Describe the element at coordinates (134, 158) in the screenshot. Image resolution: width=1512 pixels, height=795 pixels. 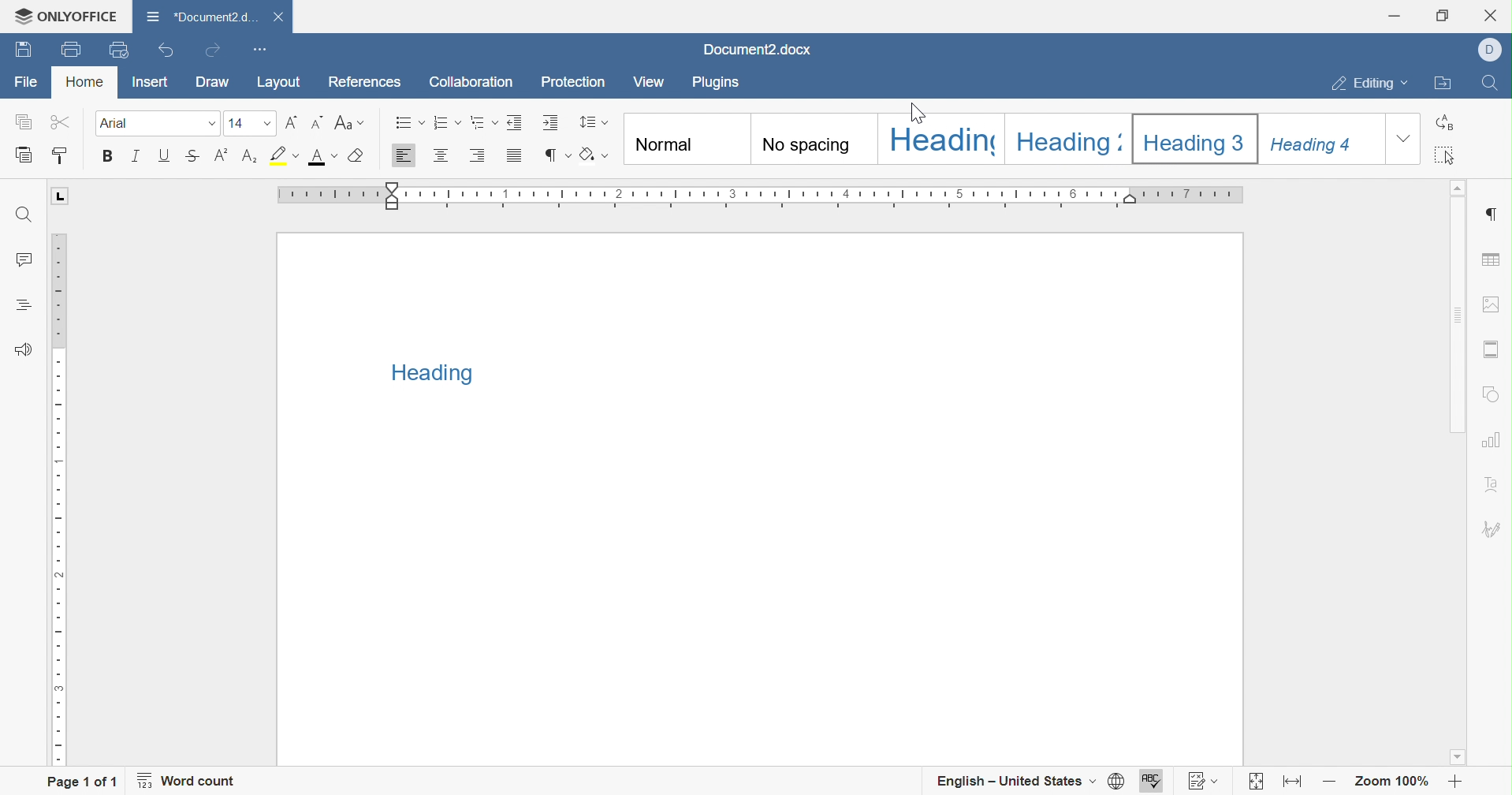
I see `Italic` at that location.